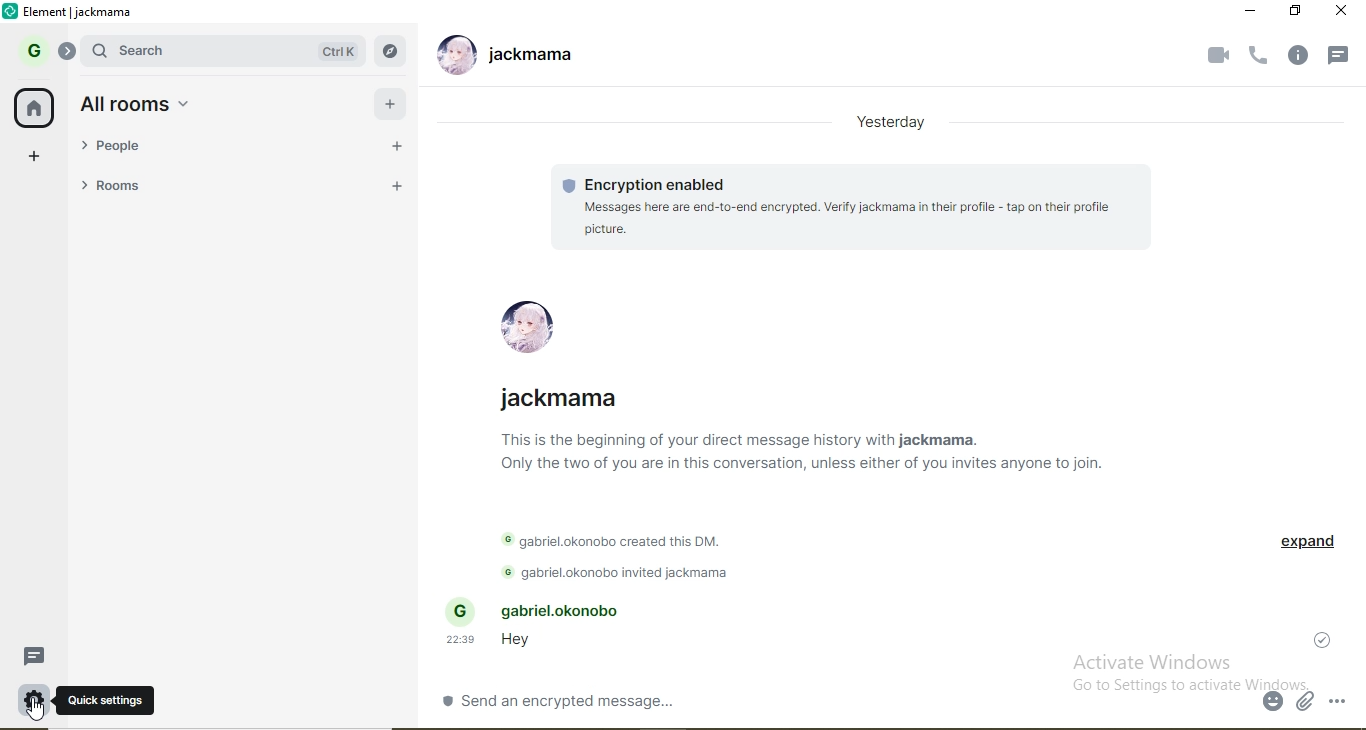 This screenshot has height=730, width=1366. What do you see at coordinates (623, 573) in the screenshot?
I see `text 3` at bounding box center [623, 573].